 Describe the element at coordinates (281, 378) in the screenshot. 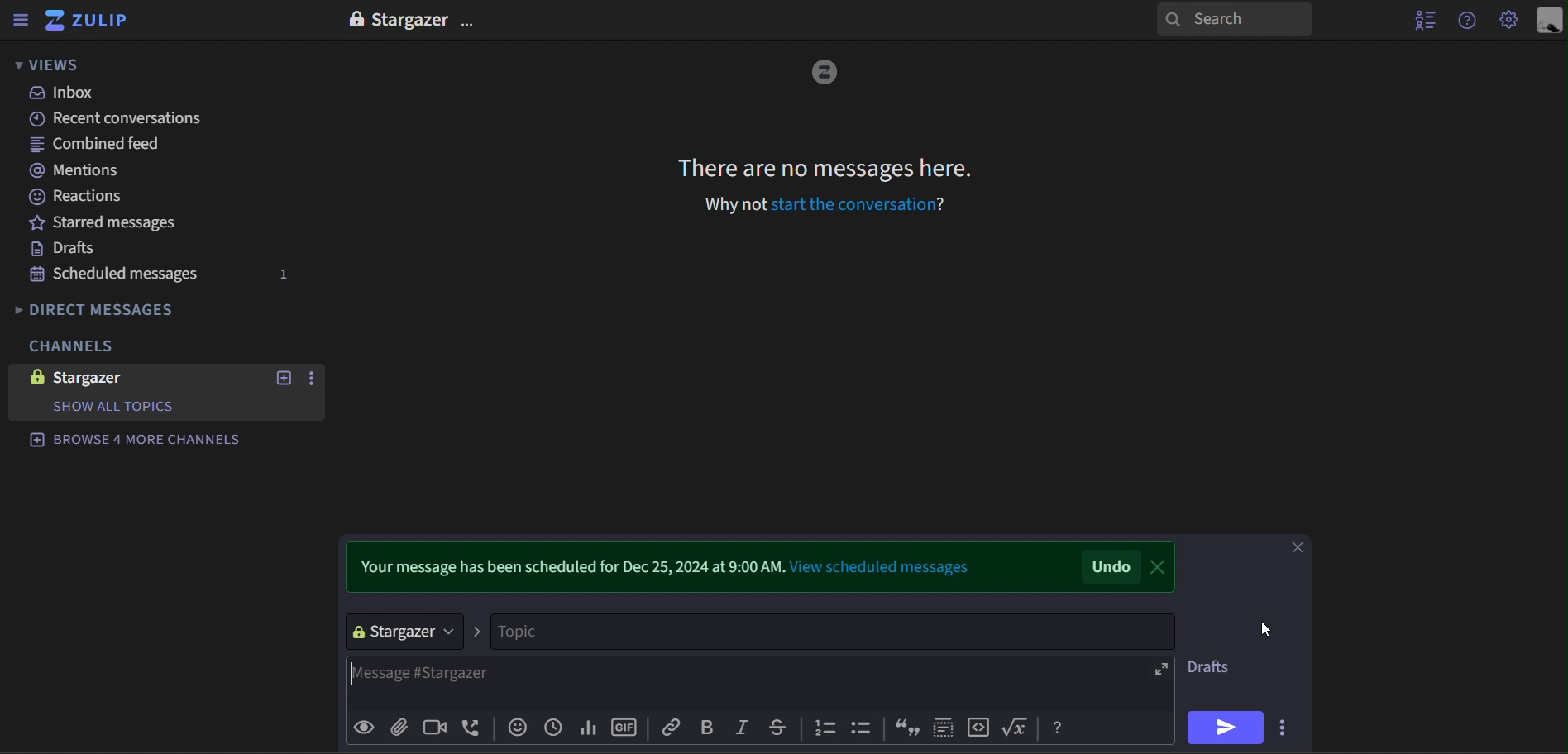

I see `new topic` at that location.